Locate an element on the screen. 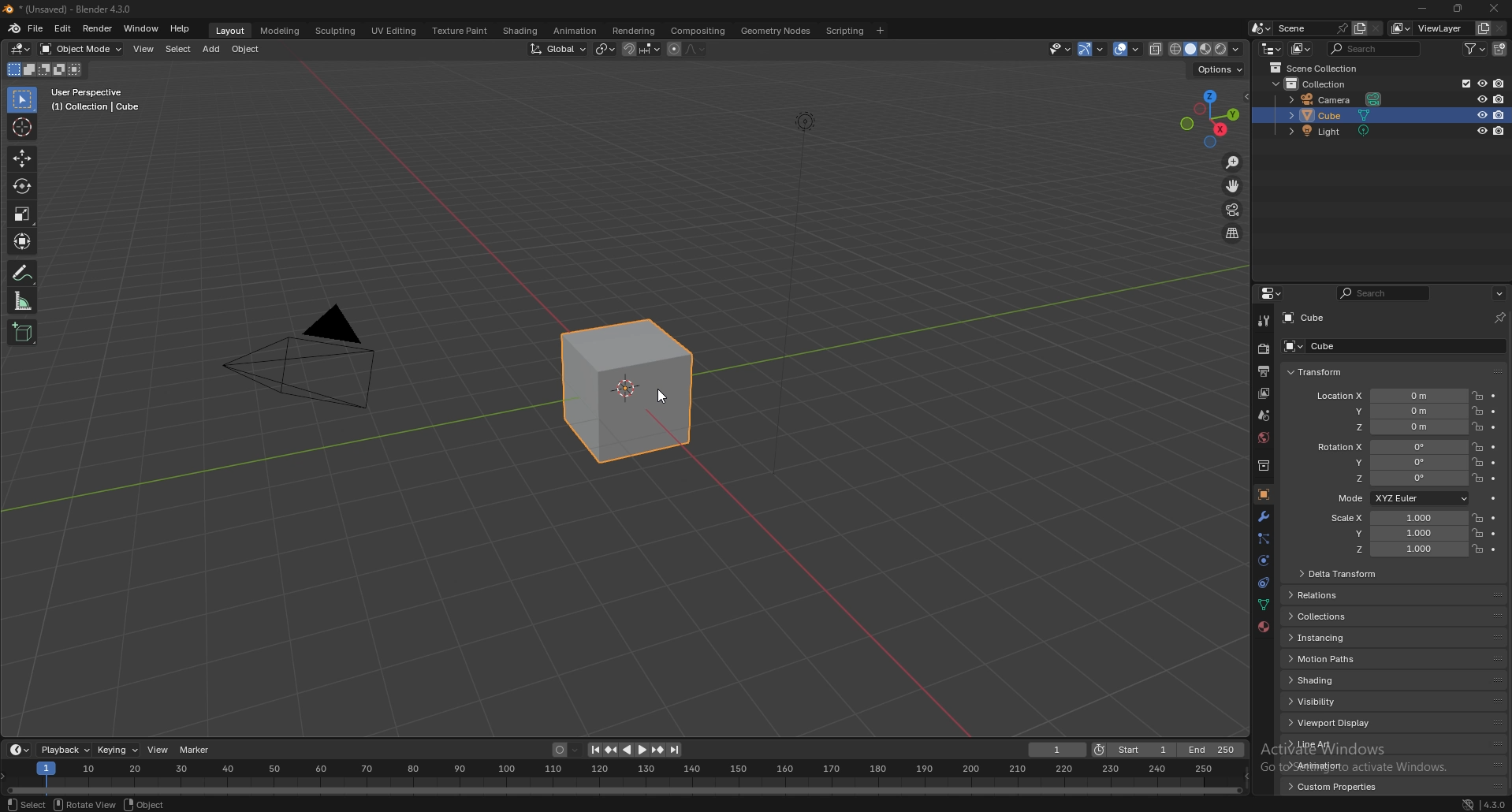 The image size is (1512, 812). animate property is located at coordinates (1494, 427).